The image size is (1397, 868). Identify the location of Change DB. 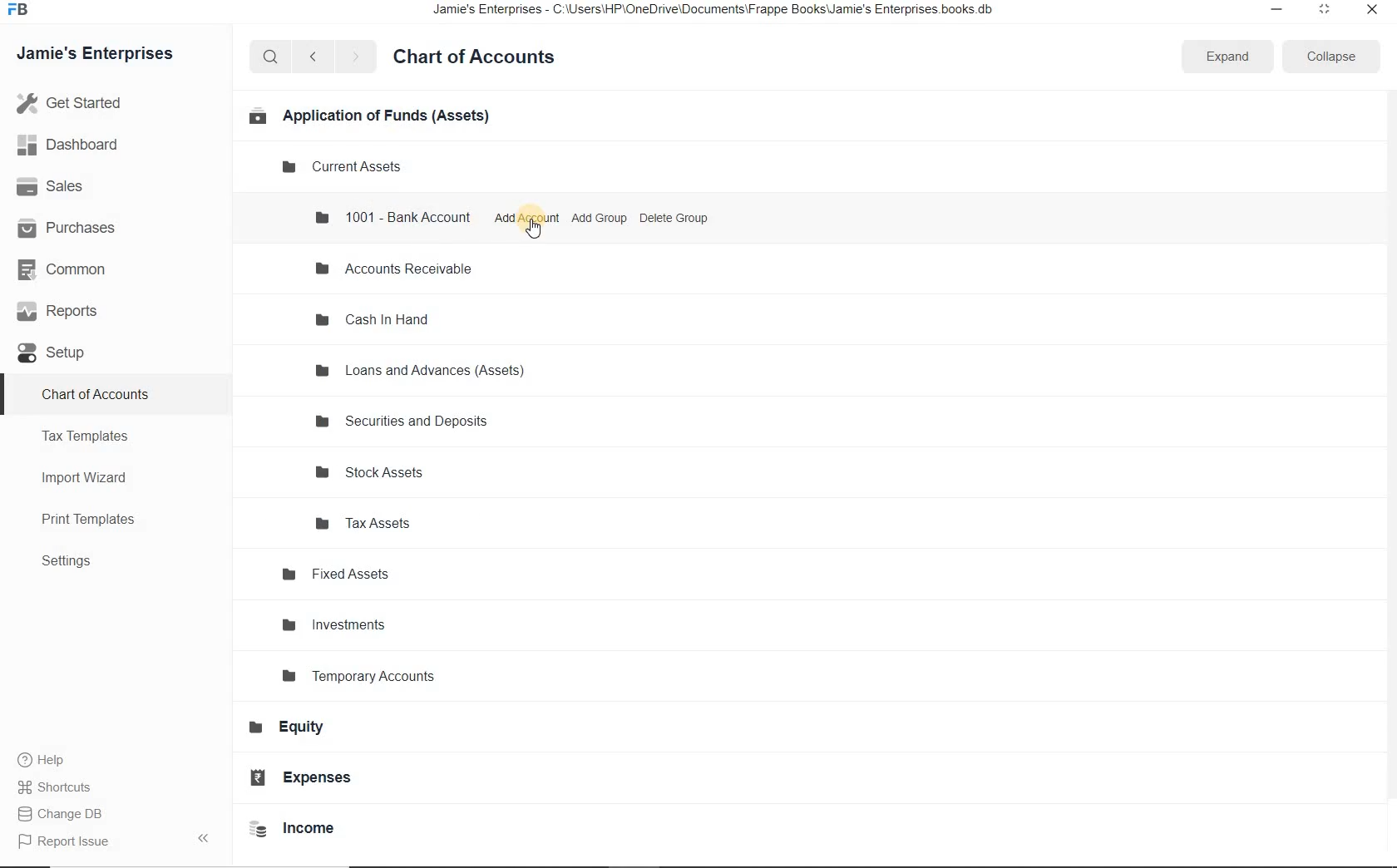
(65, 815).